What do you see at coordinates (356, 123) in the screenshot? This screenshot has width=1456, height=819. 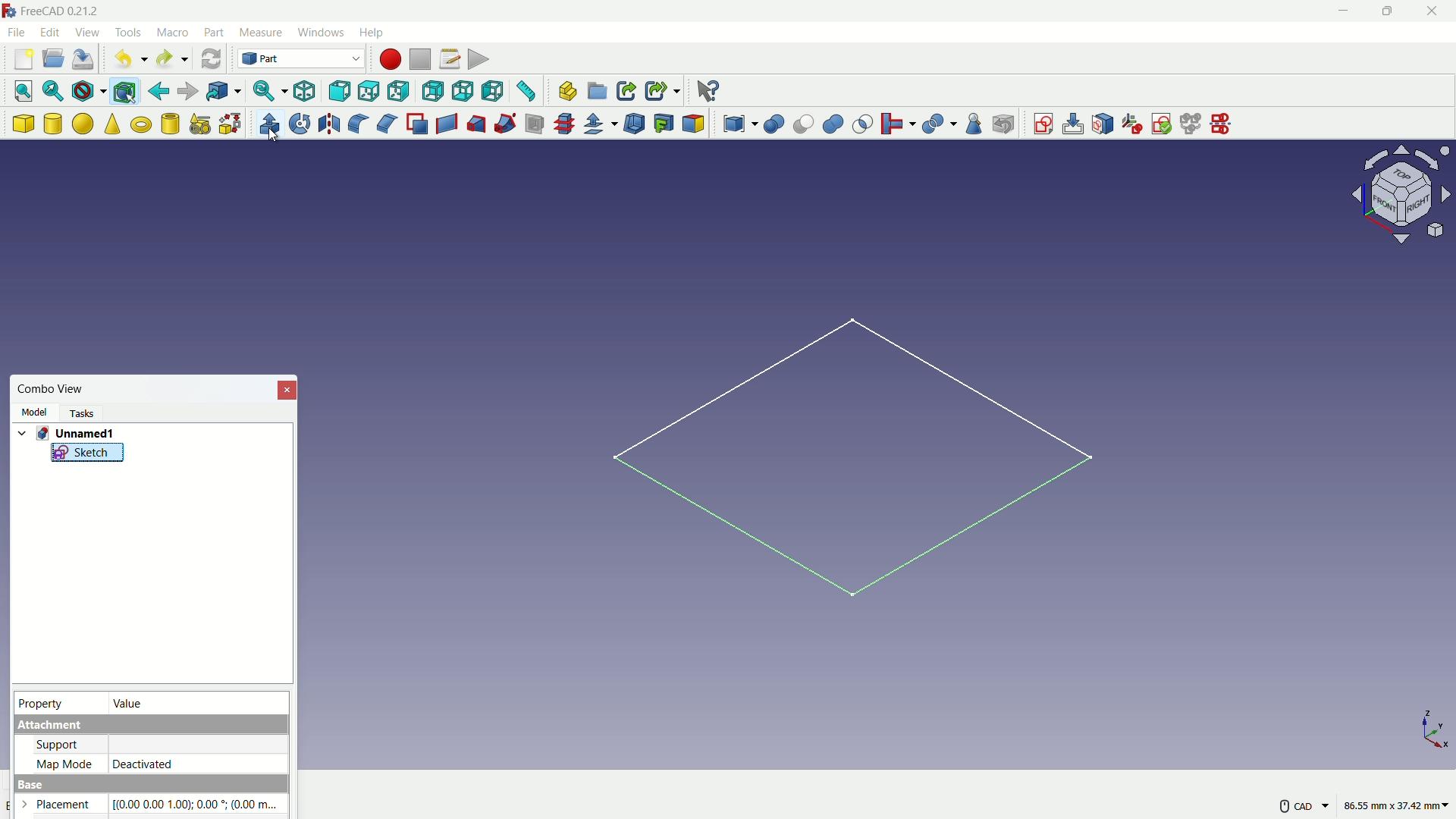 I see `fillet` at bounding box center [356, 123].